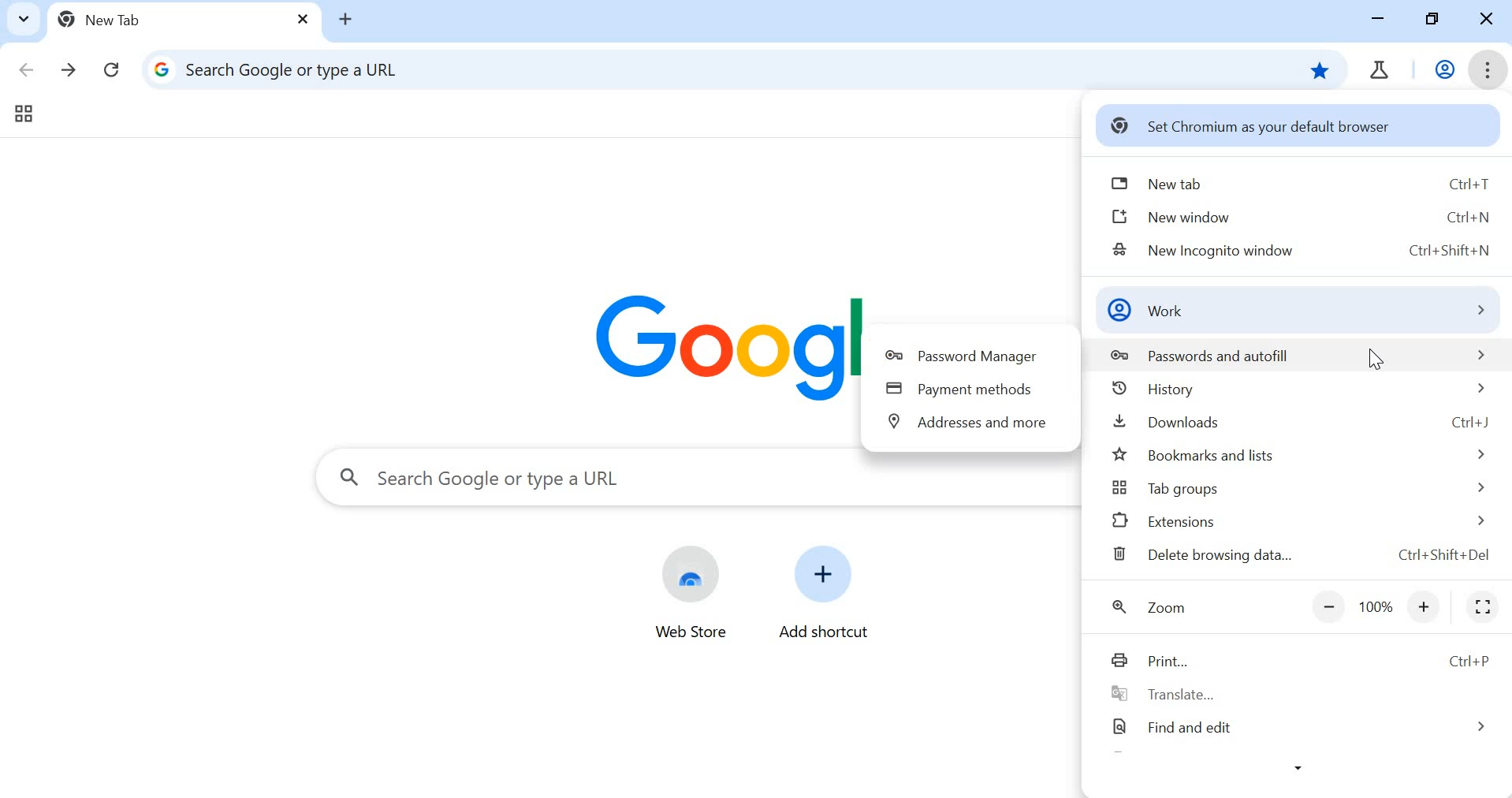 This screenshot has height=798, width=1512. I want to click on bookmarks and lists, so click(1299, 456).